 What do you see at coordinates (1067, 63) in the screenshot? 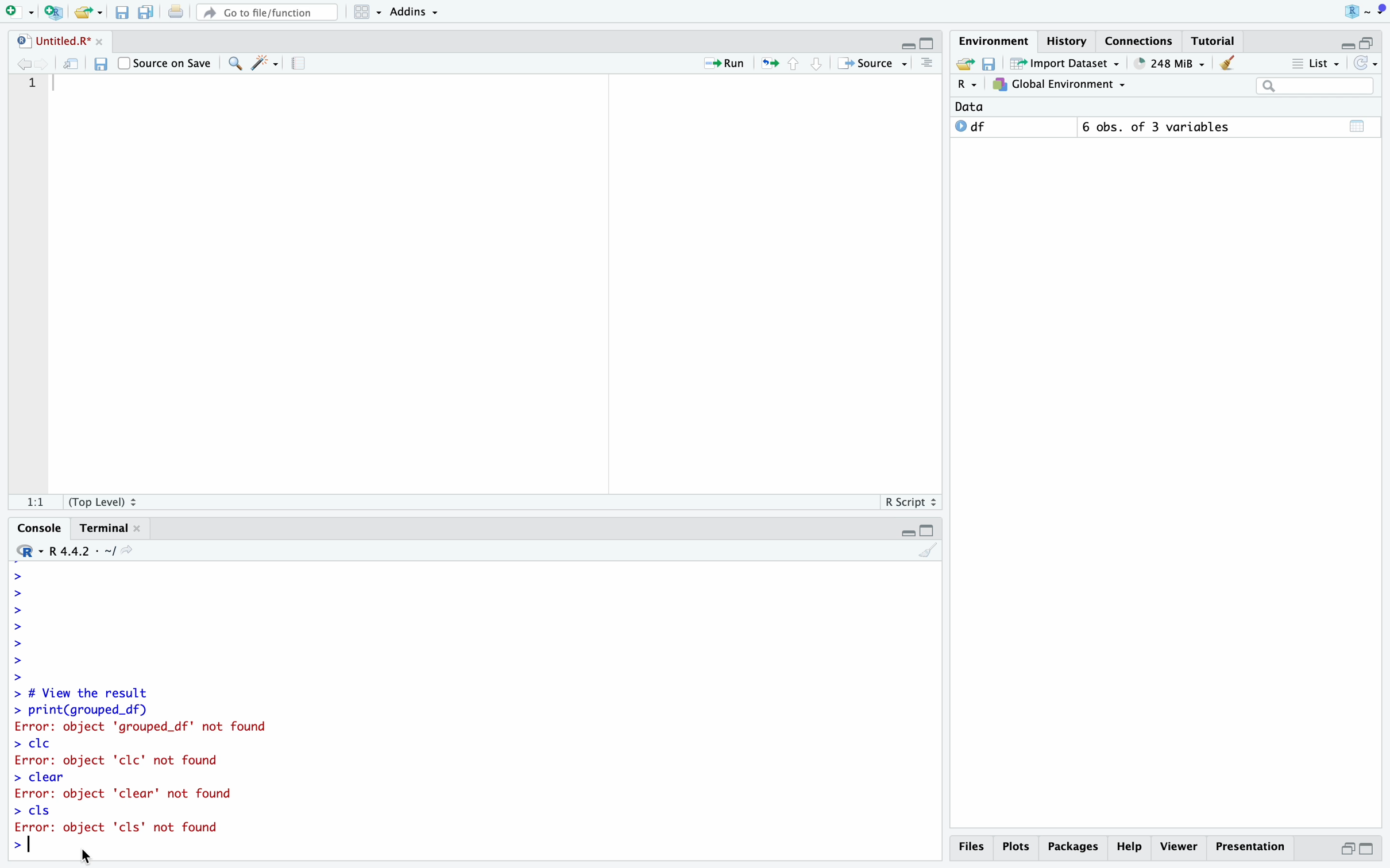
I see `Import Dataset` at bounding box center [1067, 63].